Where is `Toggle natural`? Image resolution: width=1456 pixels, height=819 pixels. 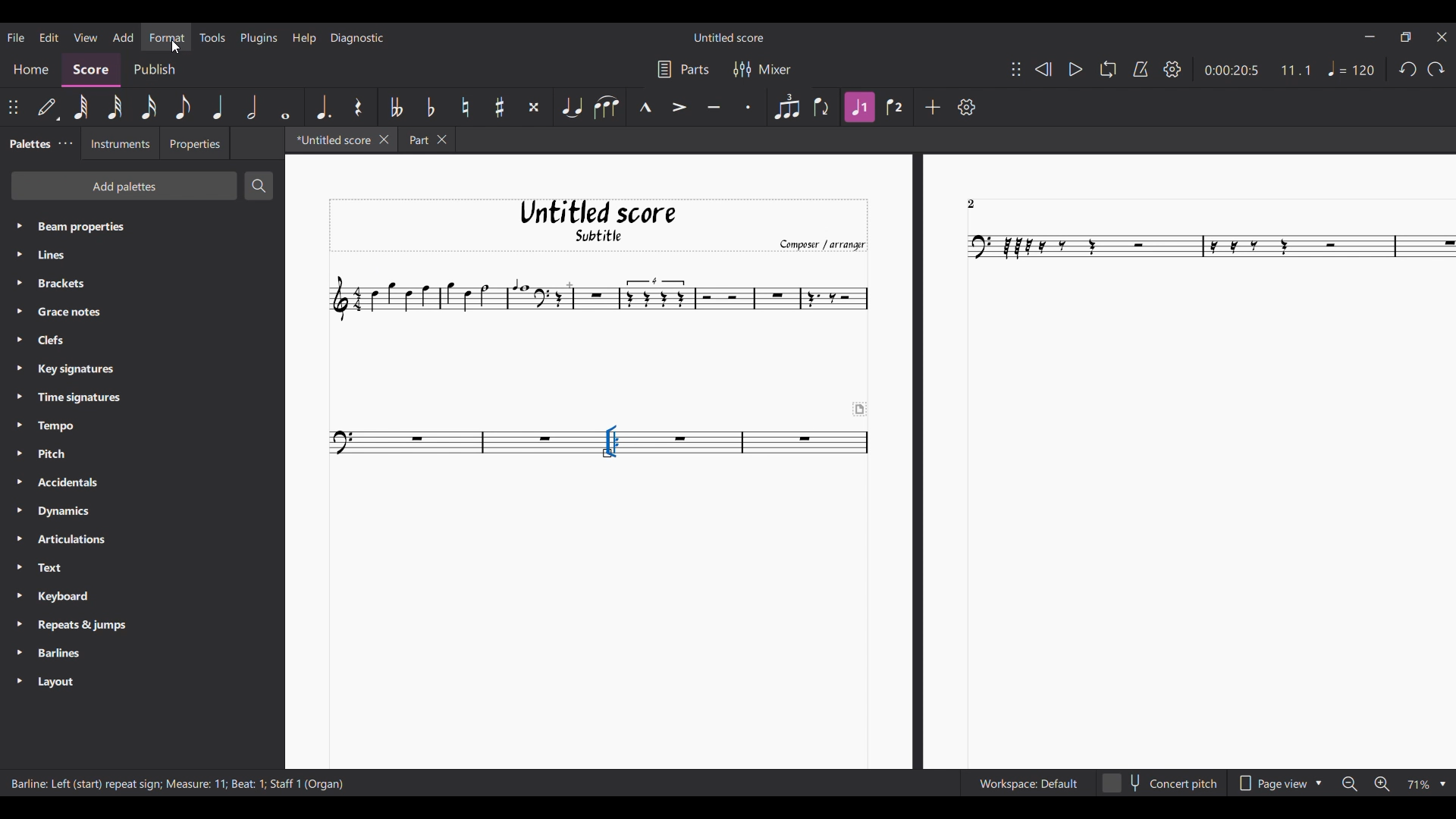
Toggle natural is located at coordinates (465, 107).